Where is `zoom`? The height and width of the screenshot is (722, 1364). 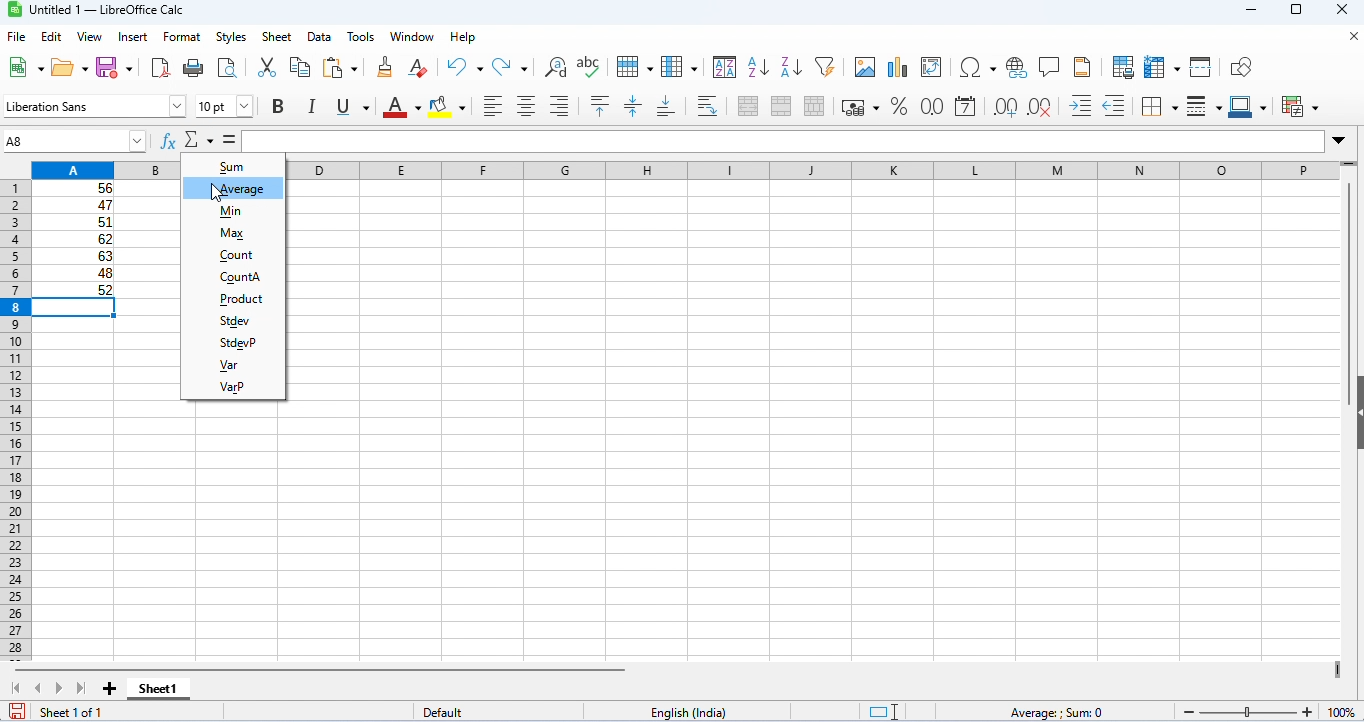 zoom is located at coordinates (1269, 709).